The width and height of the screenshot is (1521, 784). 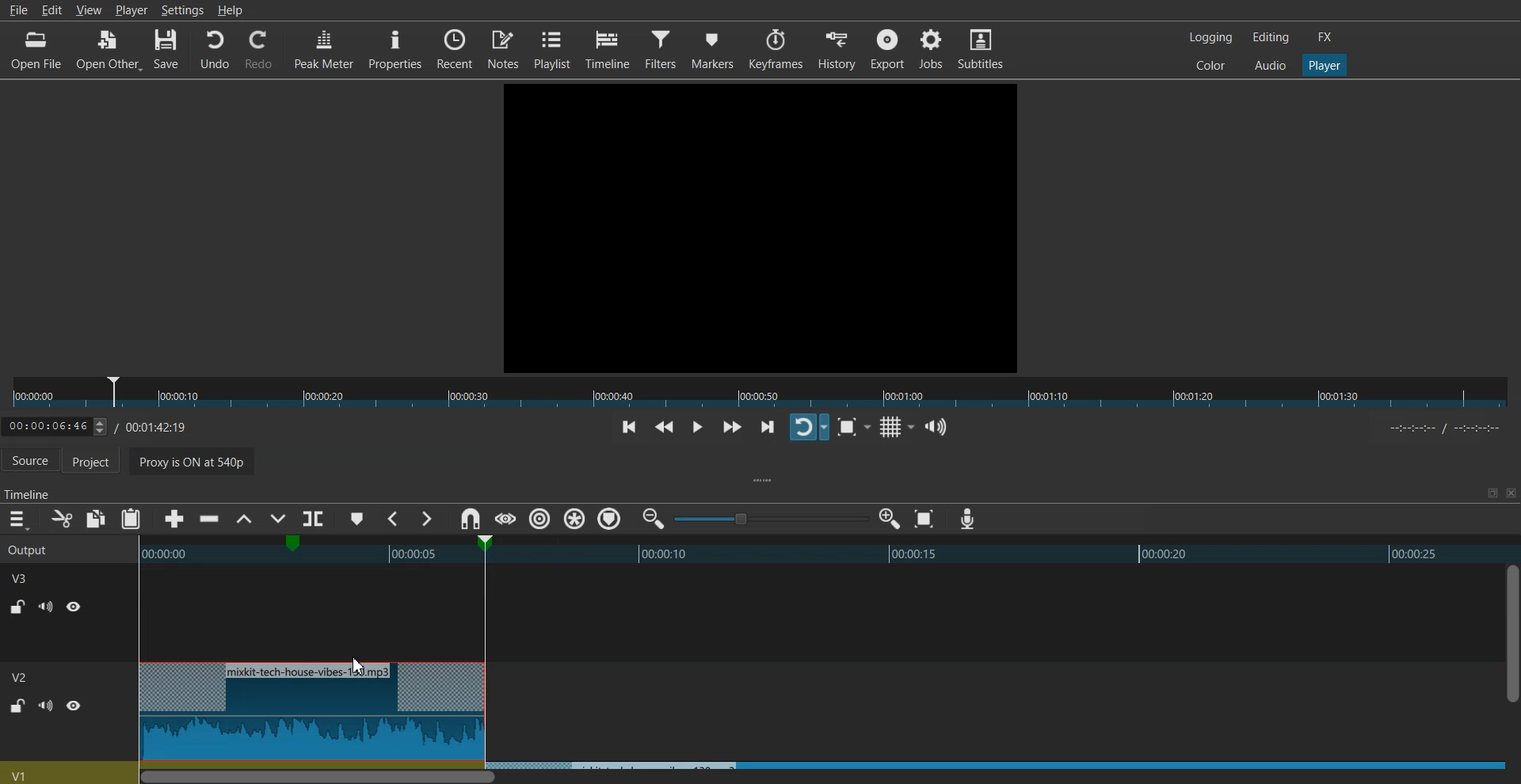 What do you see at coordinates (1325, 66) in the screenshot?
I see `Player` at bounding box center [1325, 66].